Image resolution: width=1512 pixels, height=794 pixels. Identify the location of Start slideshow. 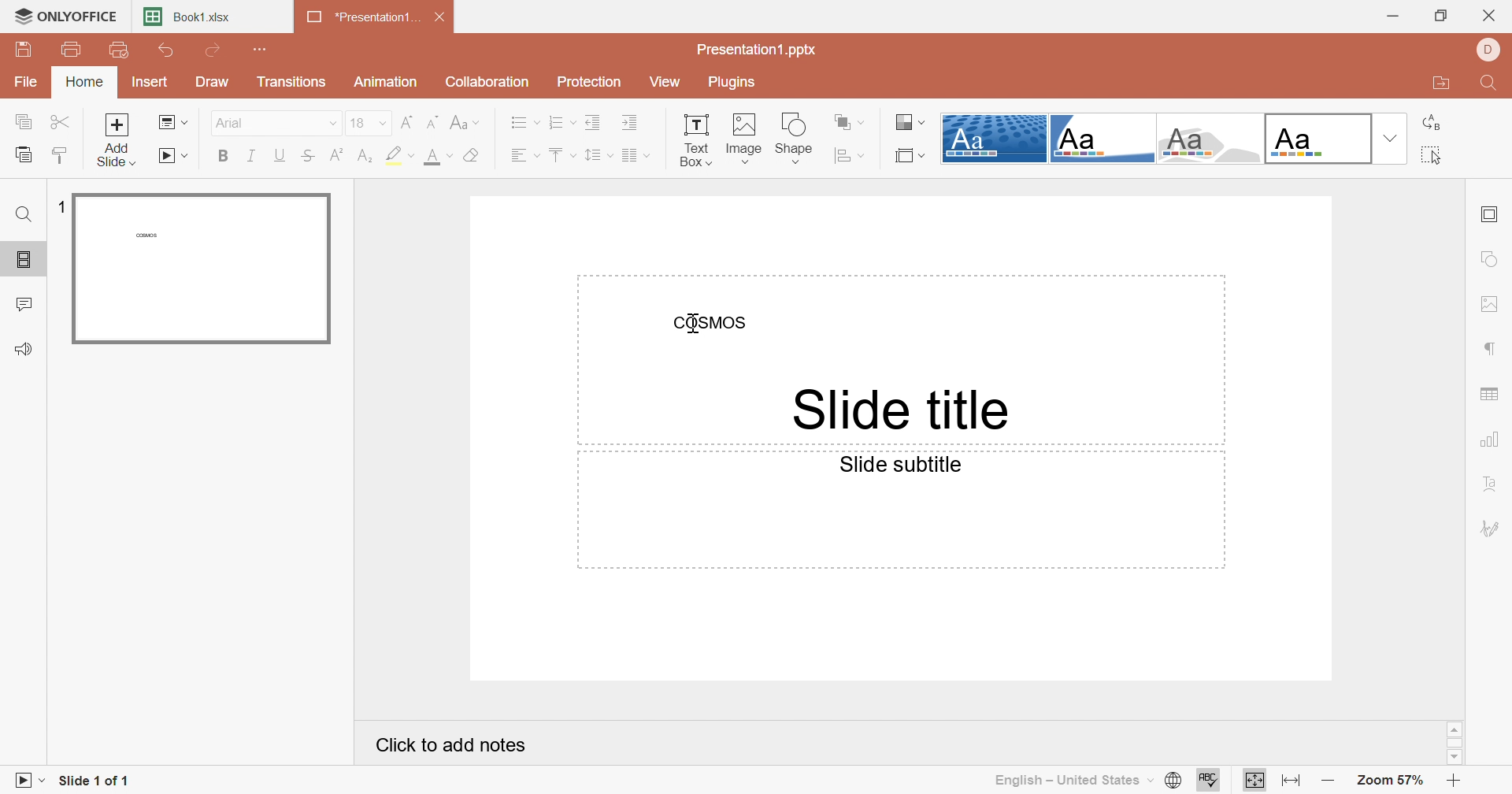
(170, 158).